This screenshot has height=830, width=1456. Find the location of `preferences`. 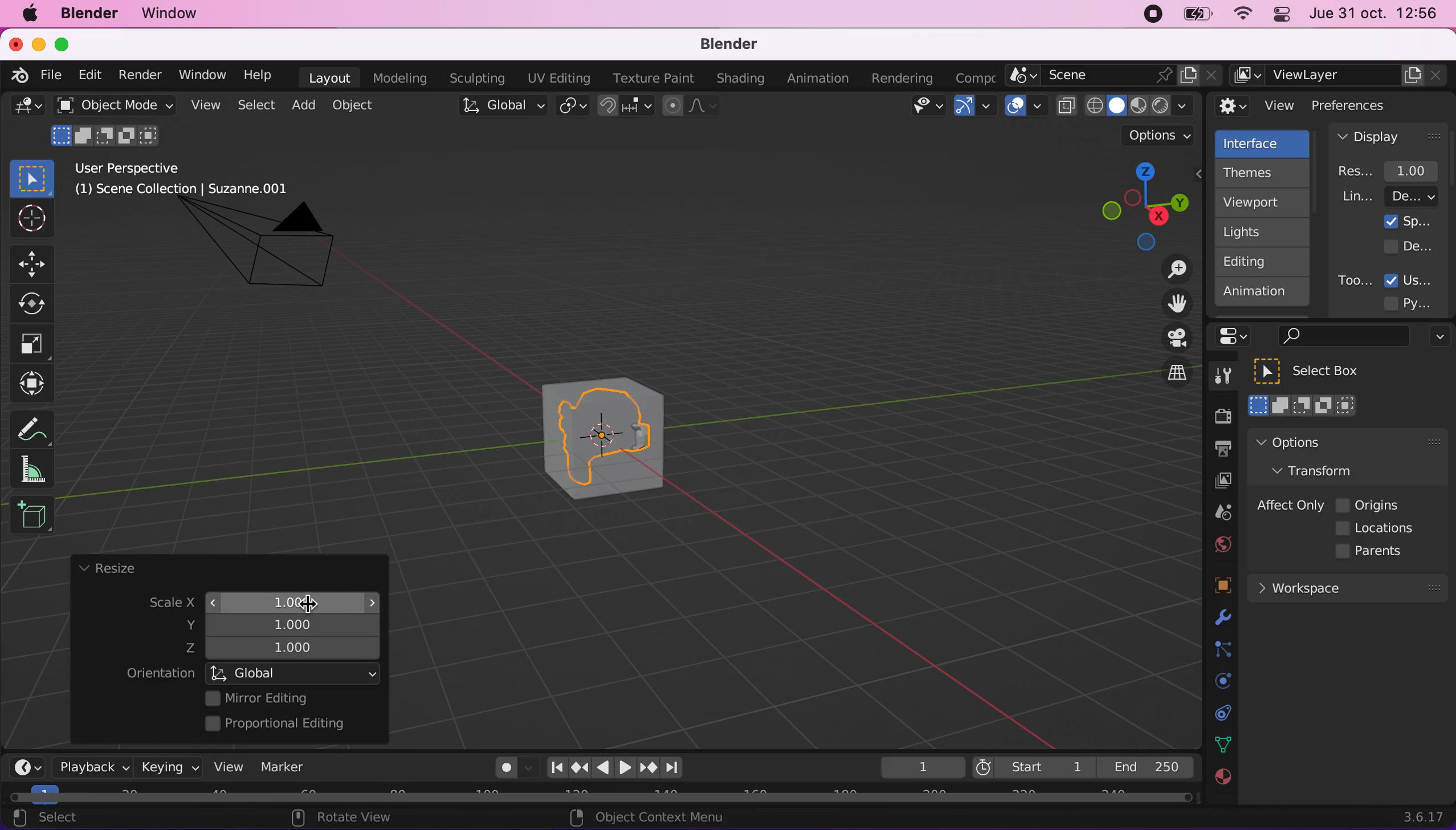

preferences is located at coordinates (1368, 105).